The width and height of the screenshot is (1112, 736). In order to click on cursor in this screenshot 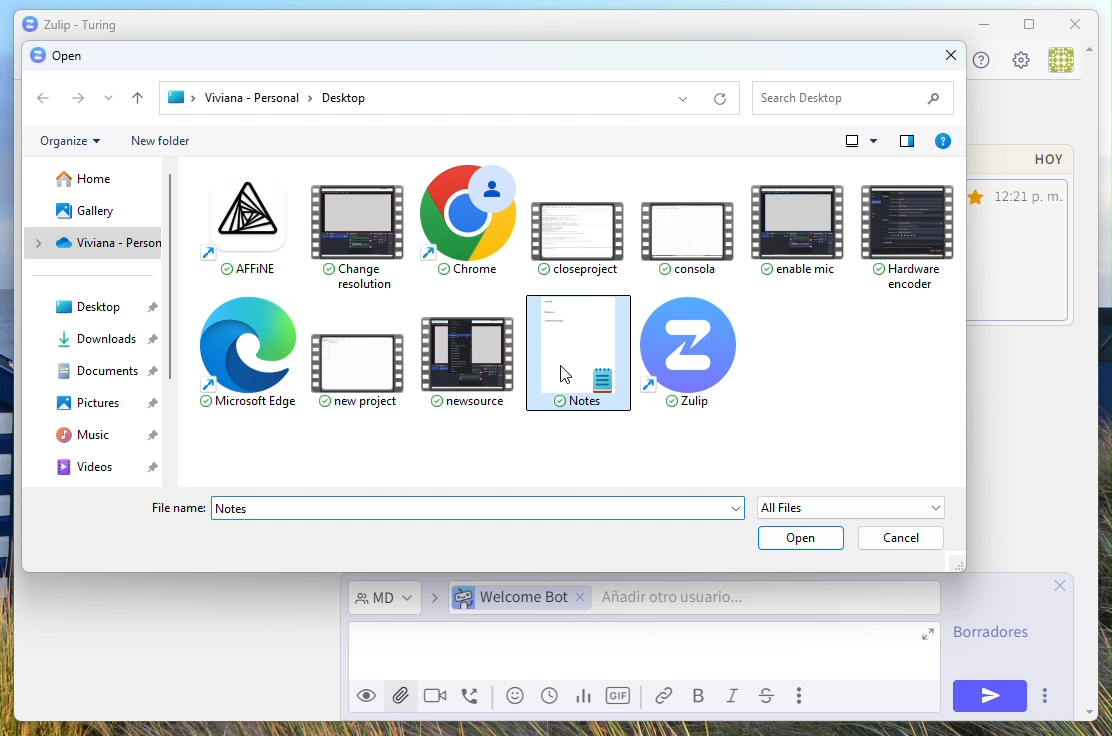, I will do `click(561, 379)`.